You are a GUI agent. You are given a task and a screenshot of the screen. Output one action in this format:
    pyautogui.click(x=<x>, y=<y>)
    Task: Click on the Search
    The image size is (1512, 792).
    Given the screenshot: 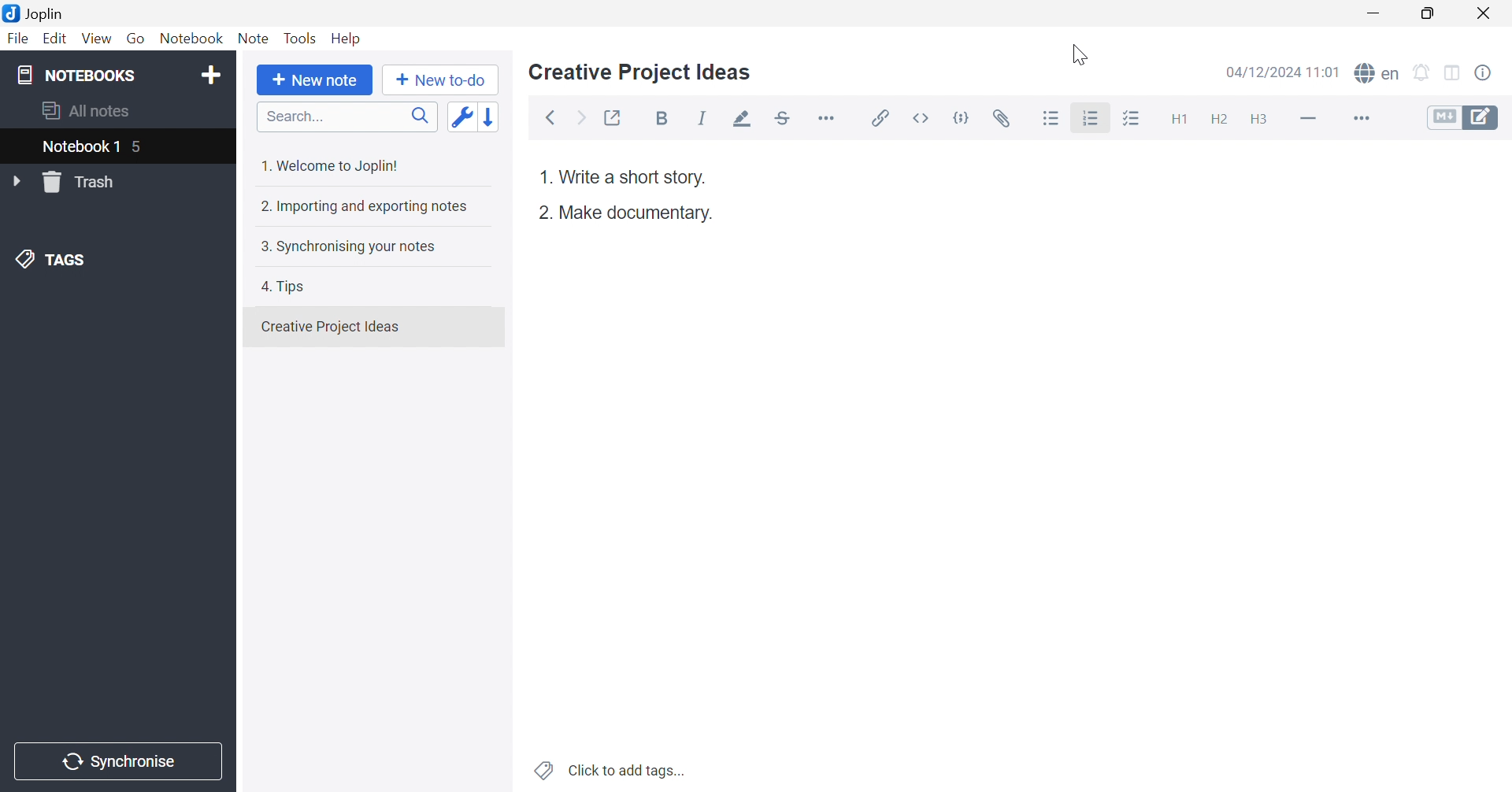 What is the action you would take?
    pyautogui.click(x=347, y=118)
    